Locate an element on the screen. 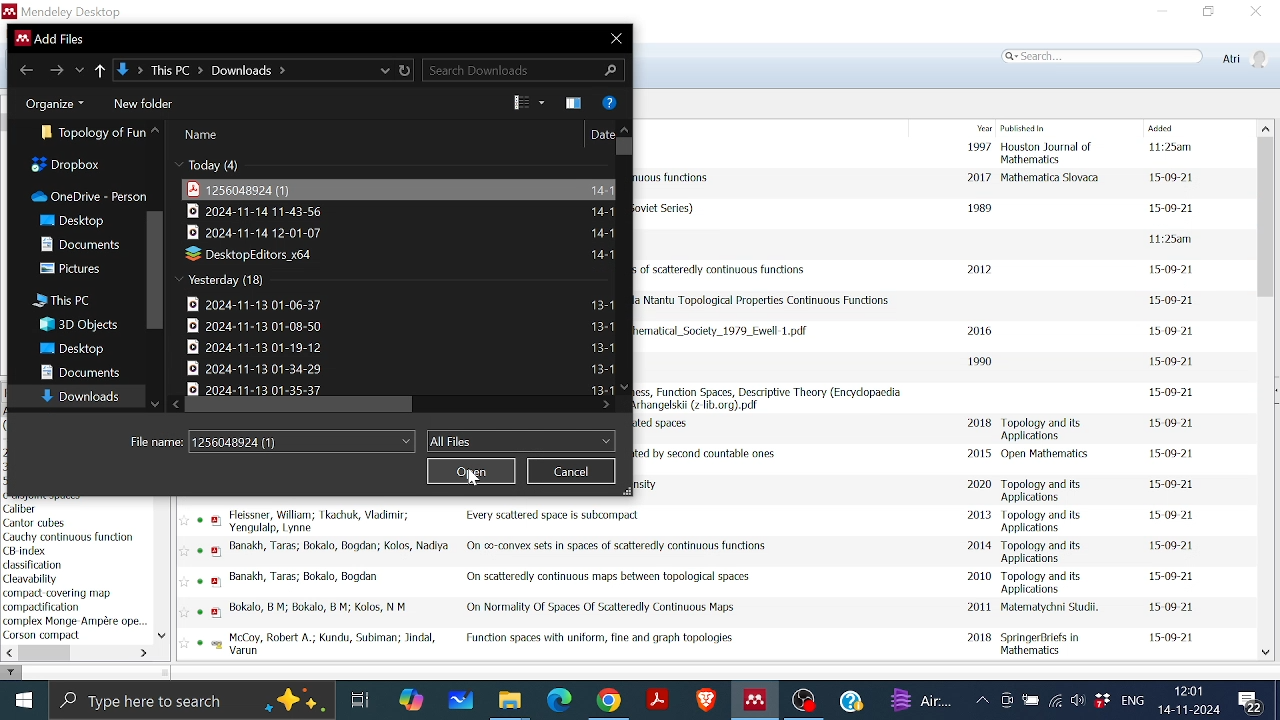  File is located at coordinates (601, 304).